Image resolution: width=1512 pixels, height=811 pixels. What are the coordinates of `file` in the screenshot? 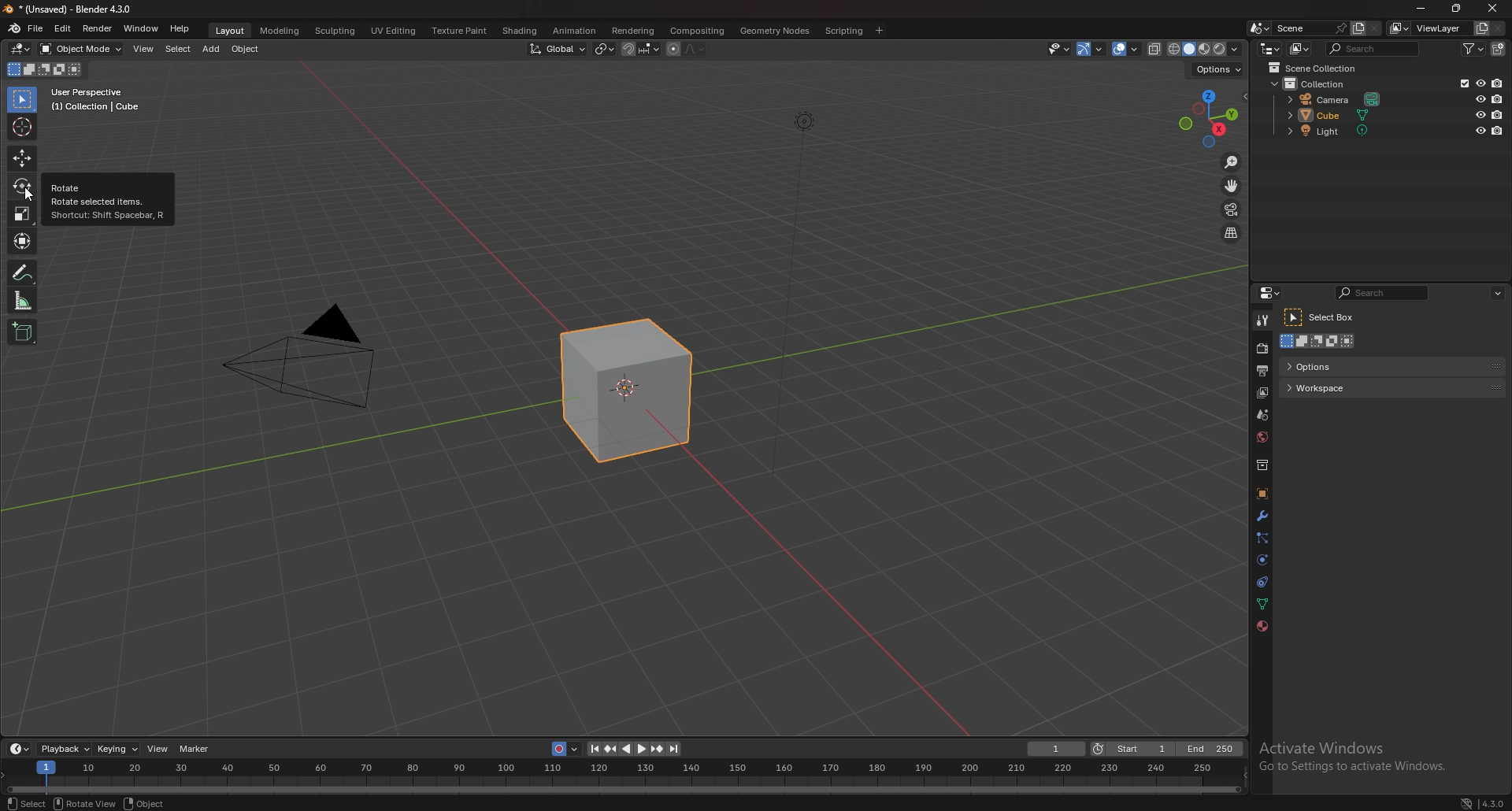 It's located at (35, 28).